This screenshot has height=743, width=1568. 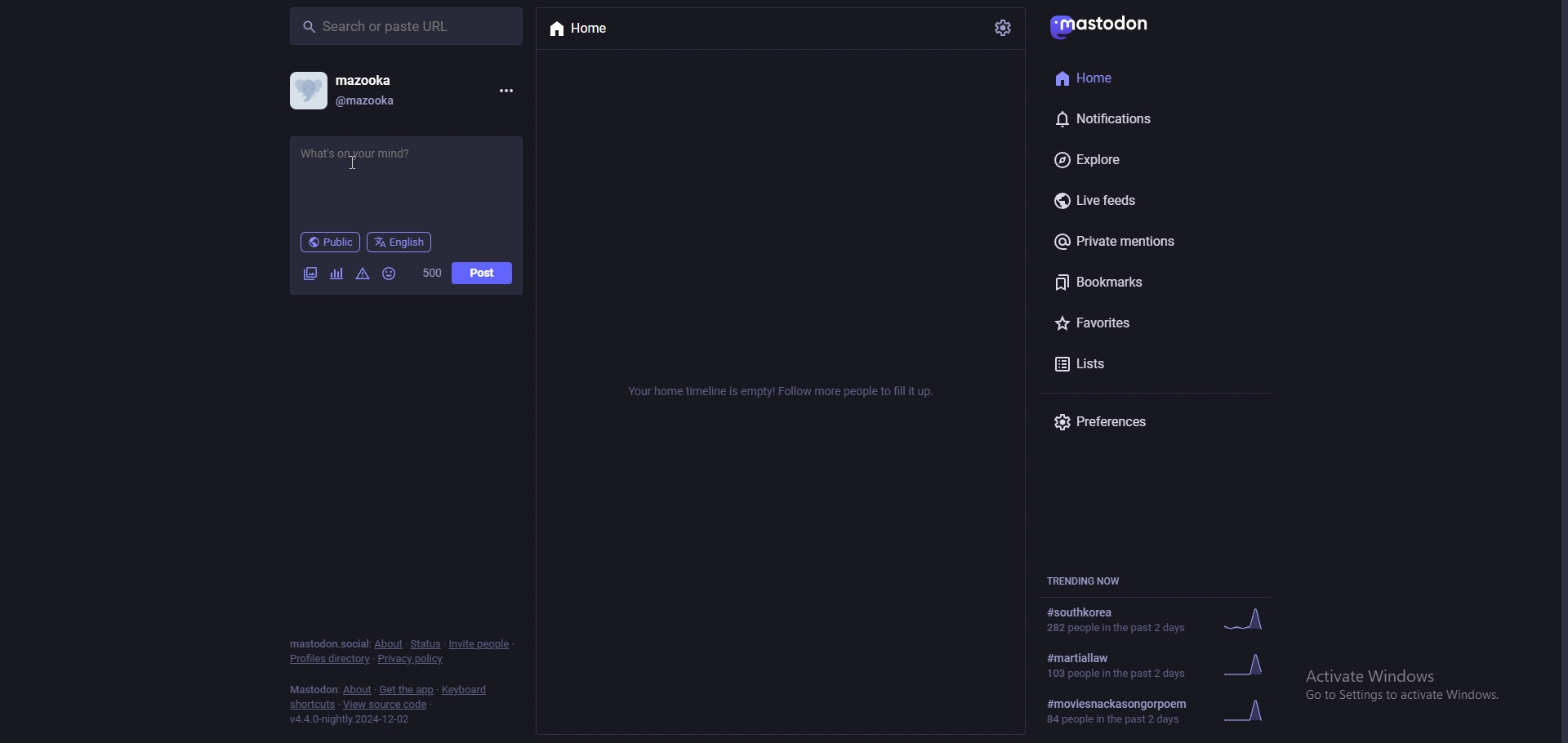 I want to click on image, so click(x=309, y=274).